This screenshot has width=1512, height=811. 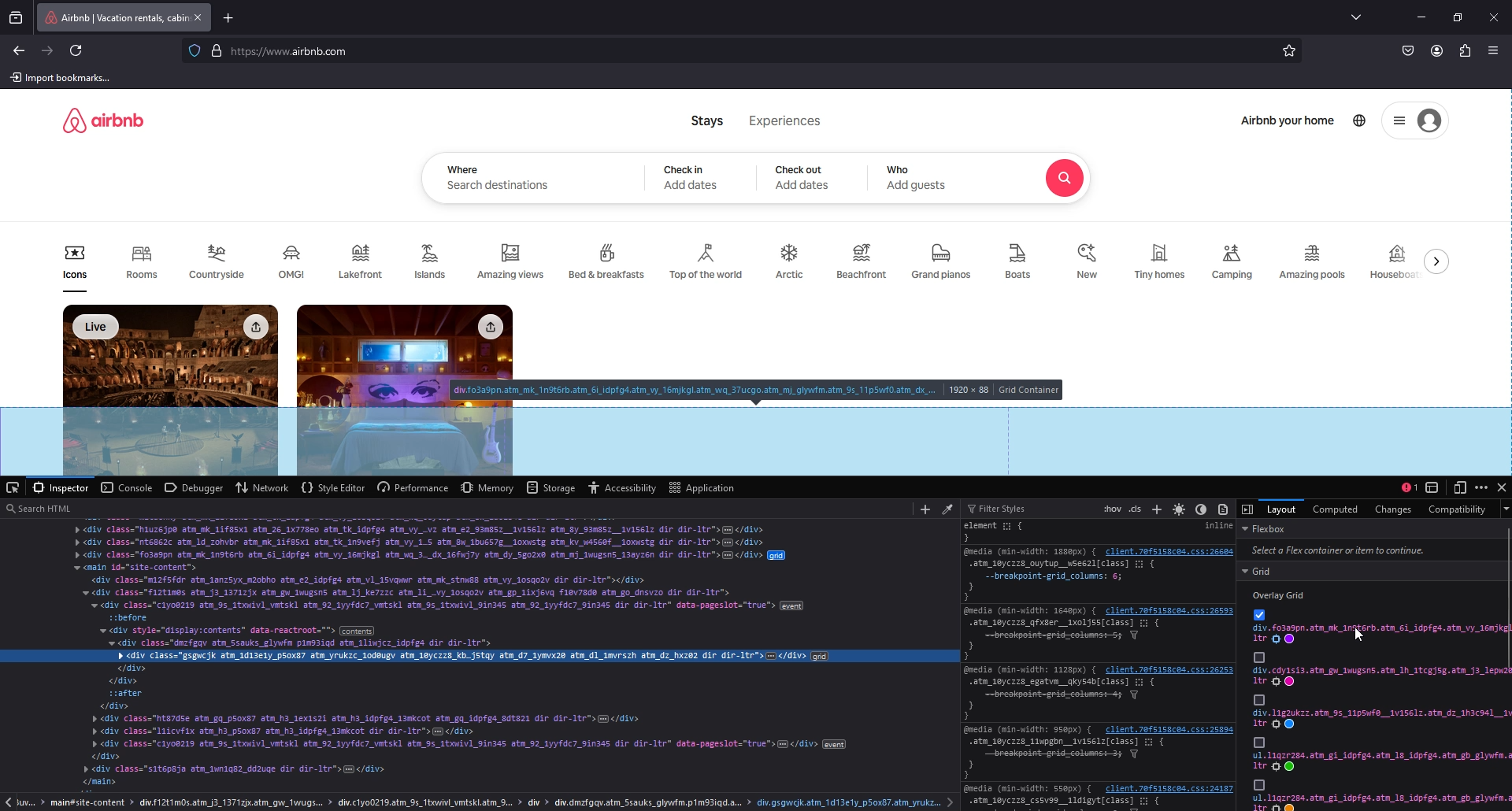 What do you see at coordinates (703, 487) in the screenshot?
I see `application` at bounding box center [703, 487].